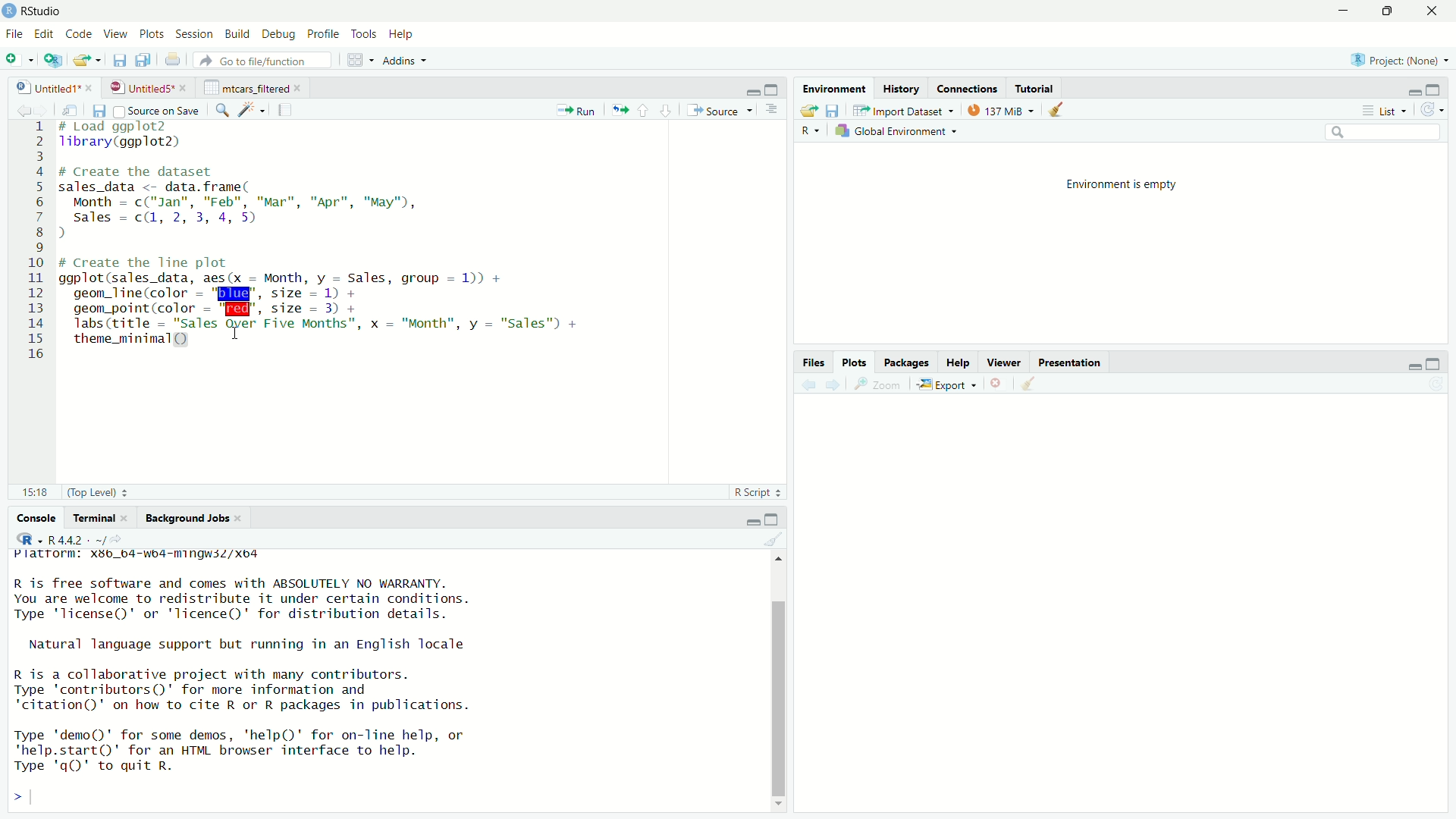 The image size is (1456, 819). What do you see at coordinates (398, 61) in the screenshot?
I see `Addins` at bounding box center [398, 61].